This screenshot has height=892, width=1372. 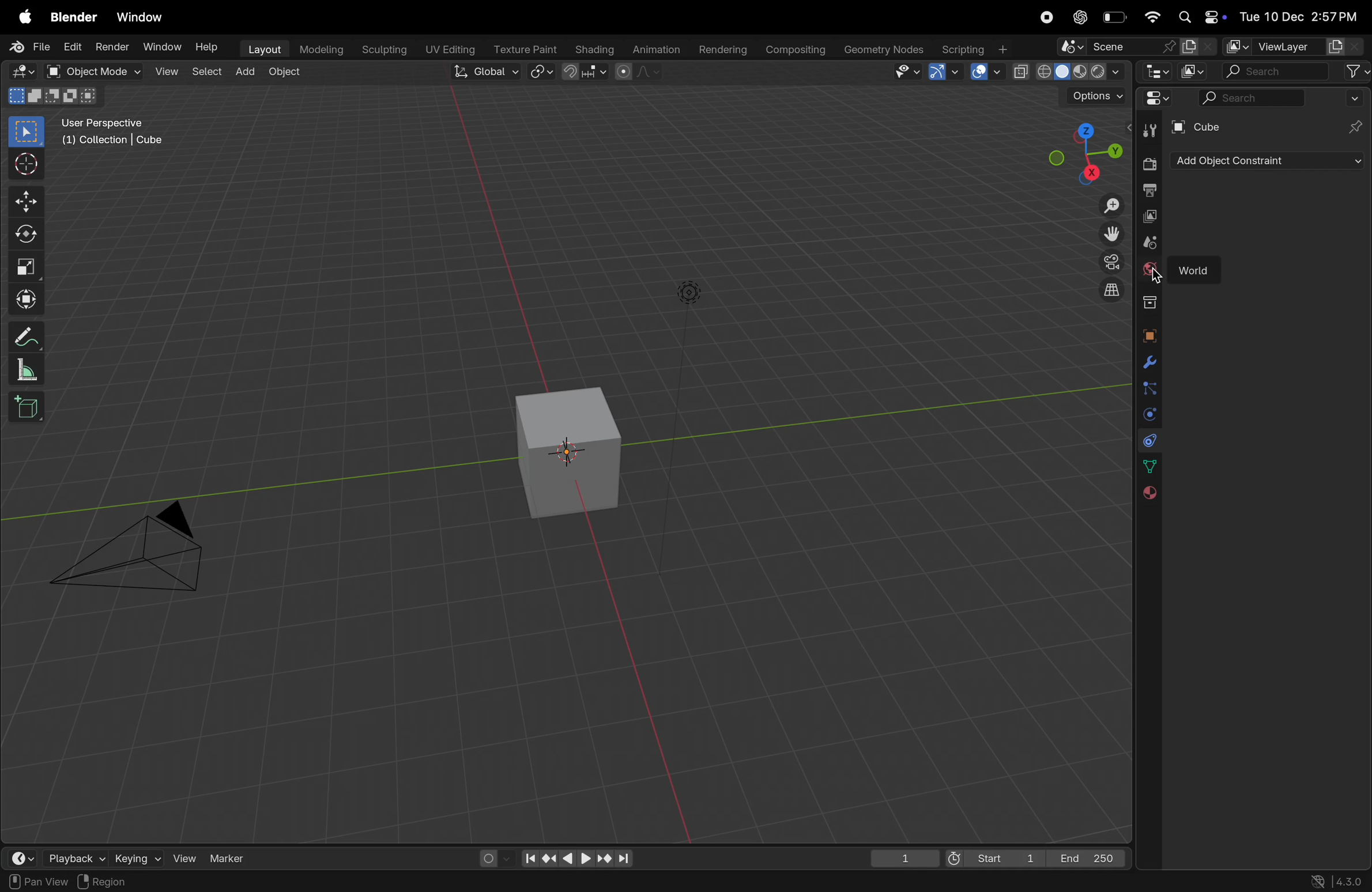 I want to click on select, so click(x=205, y=72).